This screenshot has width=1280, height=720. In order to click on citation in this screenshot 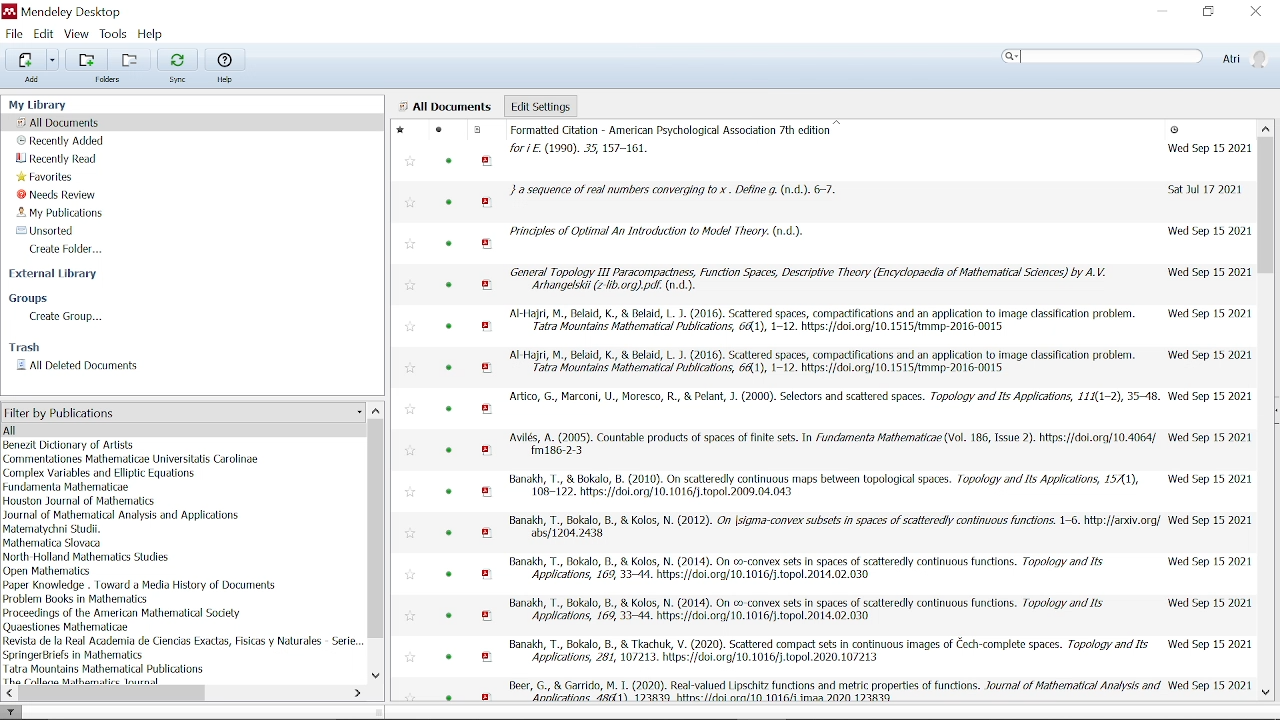, I will do `click(806, 571)`.